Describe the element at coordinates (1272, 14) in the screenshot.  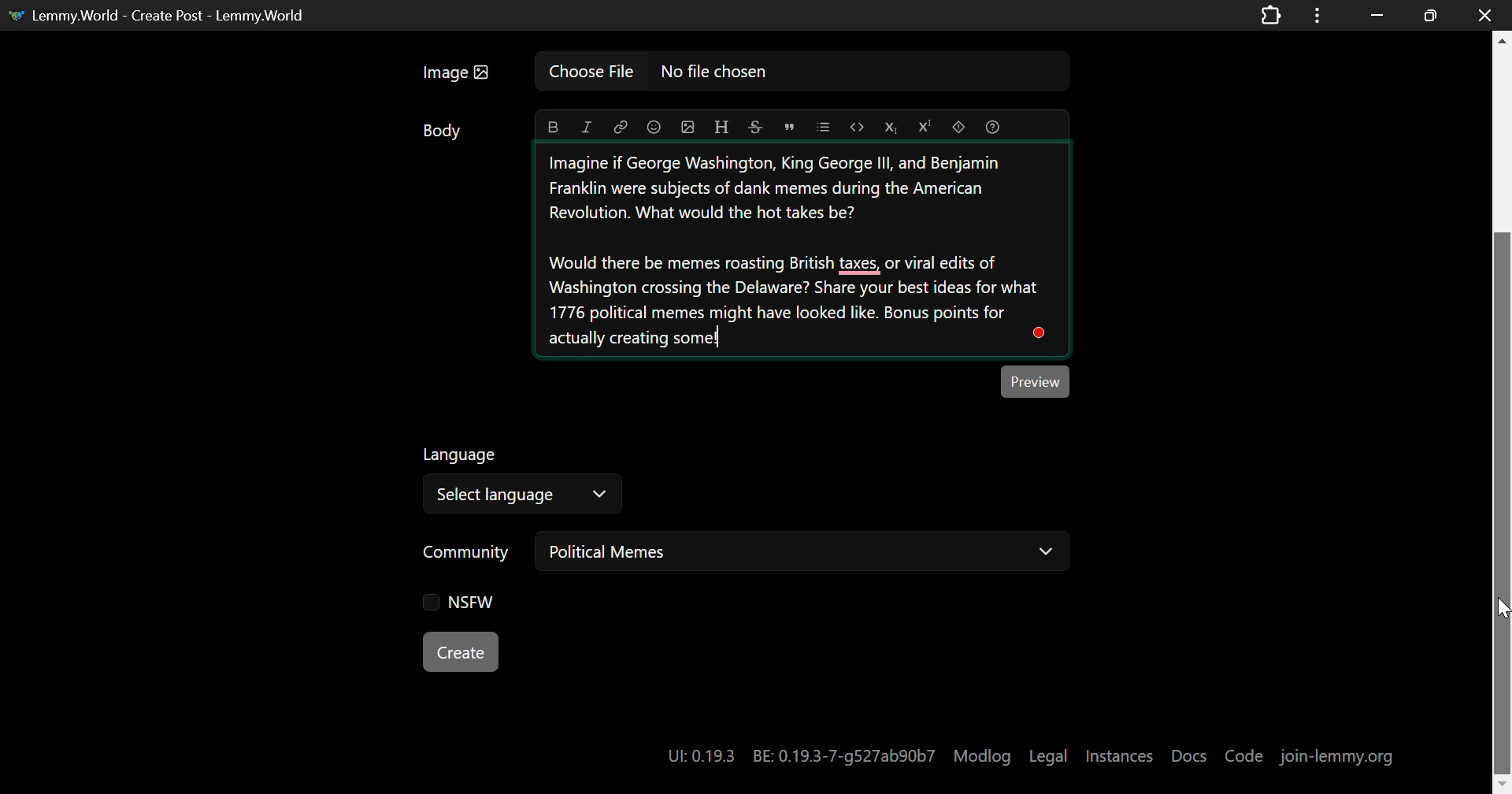
I see `Extensions` at that location.